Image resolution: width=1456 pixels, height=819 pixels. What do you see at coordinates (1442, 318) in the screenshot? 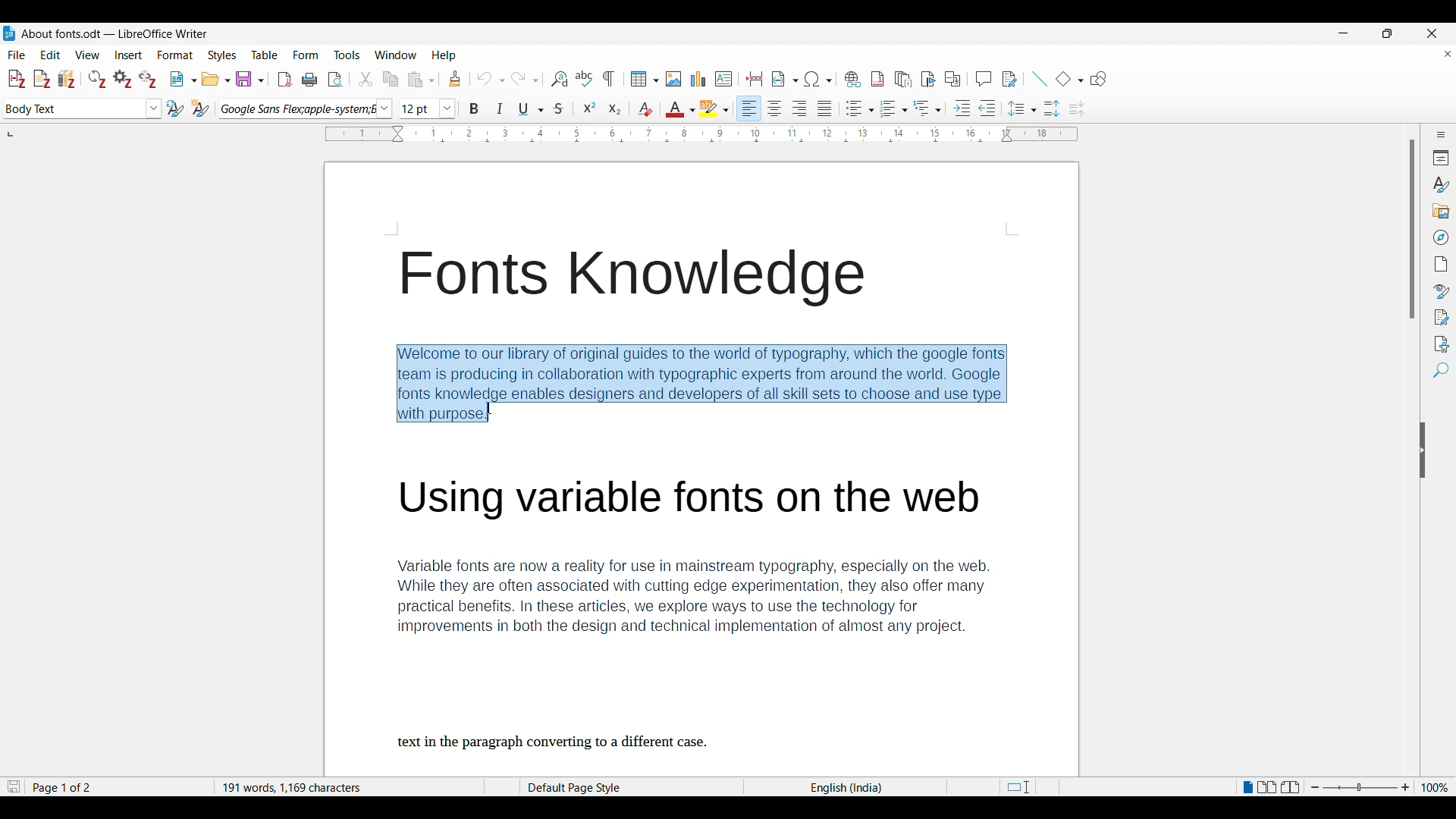
I see `Manage changes` at bounding box center [1442, 318].